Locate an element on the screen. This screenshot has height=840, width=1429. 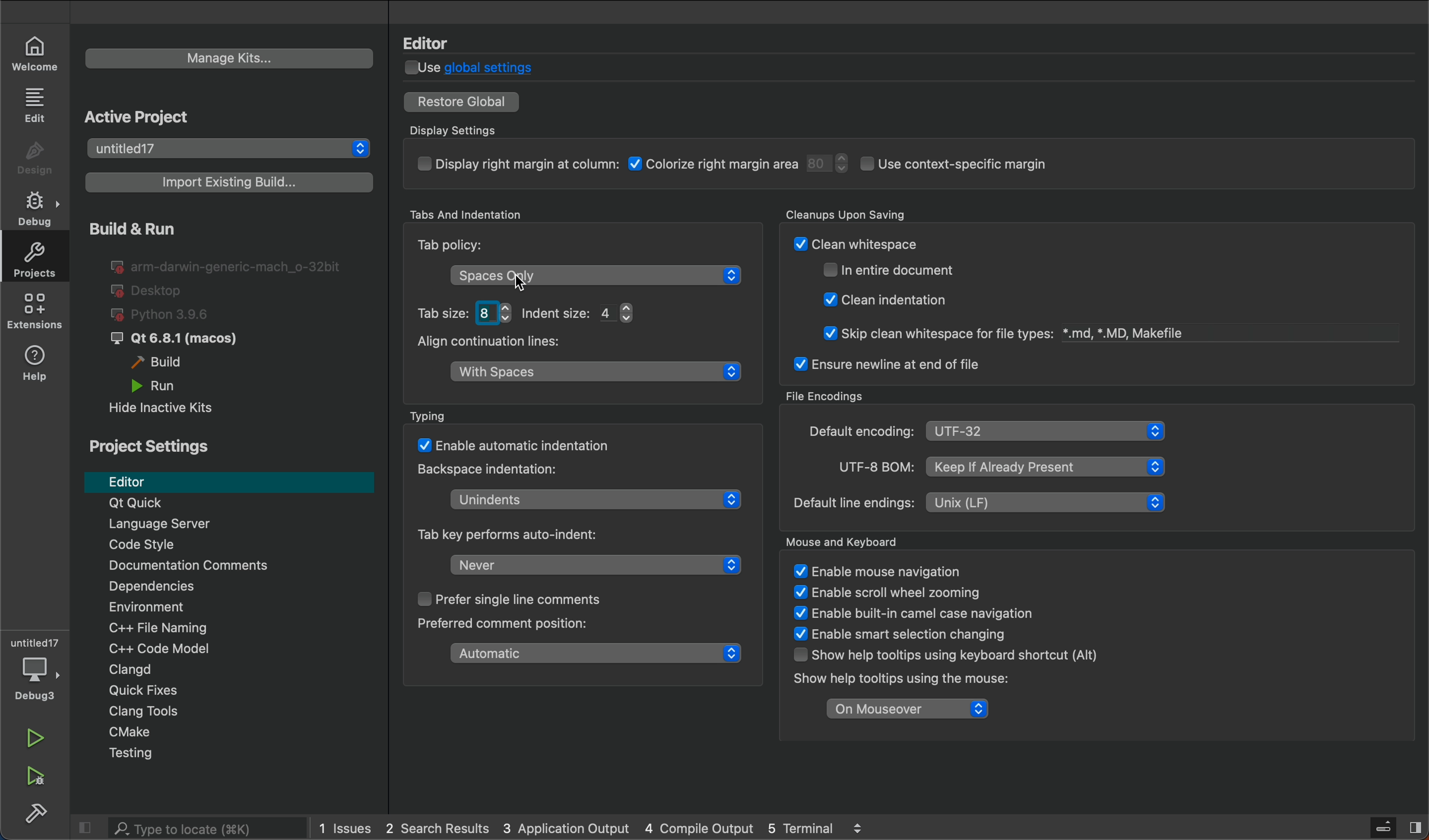
Skip clean whitespace for file types: *.md, *.MD, Makefile is located at coordinates (996, 330).